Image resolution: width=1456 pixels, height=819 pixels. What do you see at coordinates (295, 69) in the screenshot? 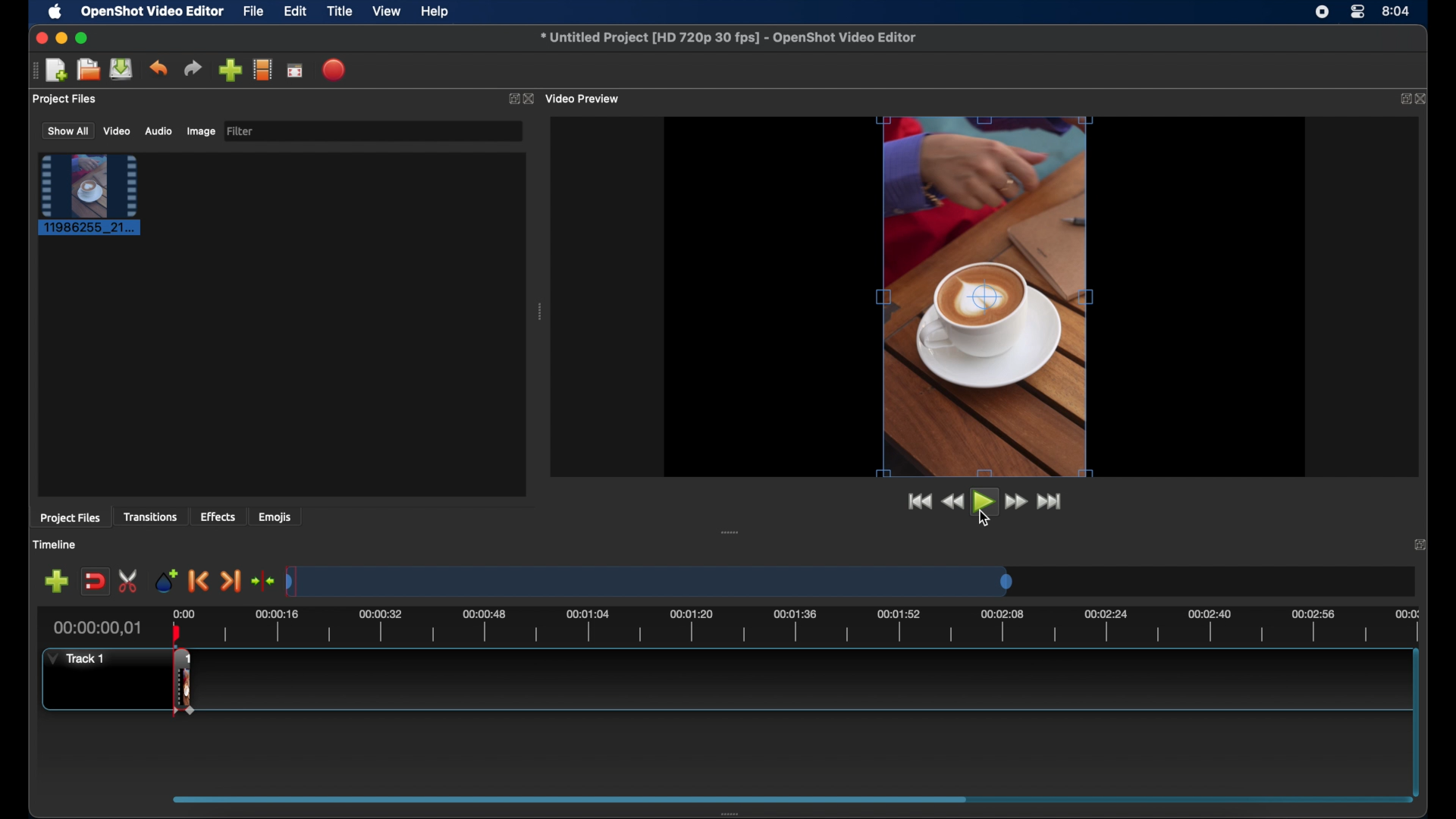
I see `full screen` at bounding box center [295, 69].